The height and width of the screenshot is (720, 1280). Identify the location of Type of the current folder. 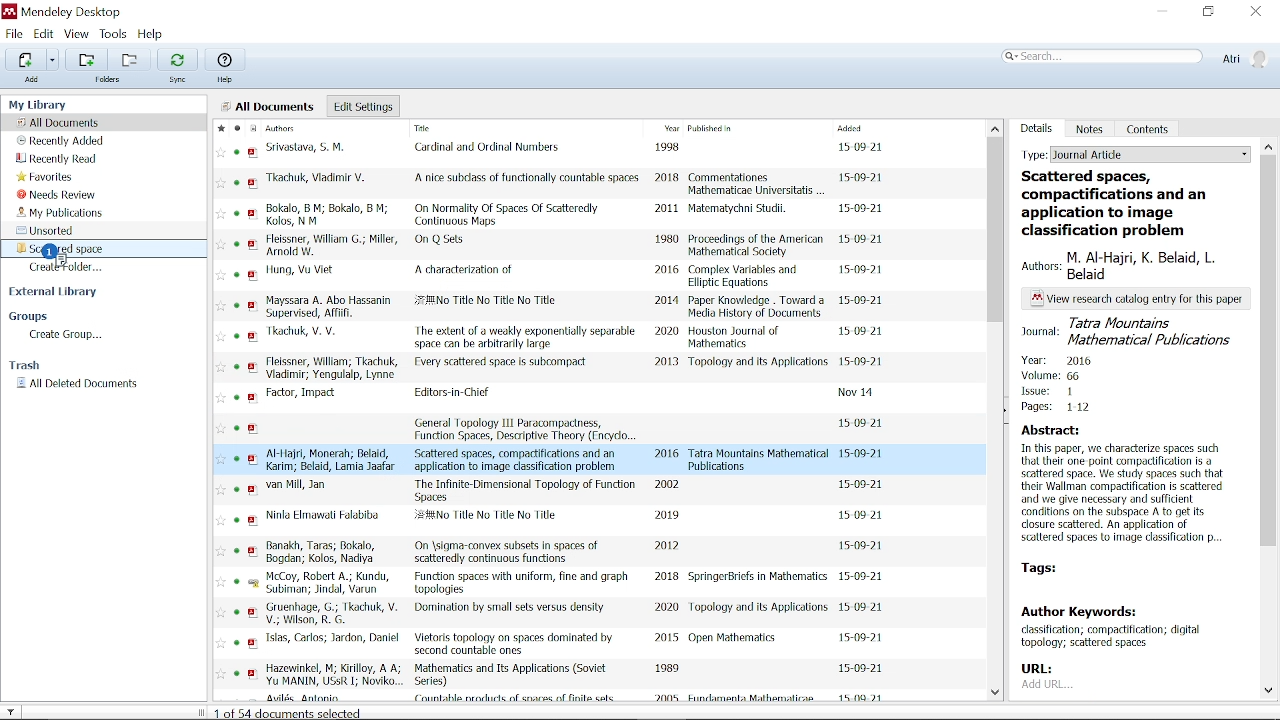
(1135, 153).